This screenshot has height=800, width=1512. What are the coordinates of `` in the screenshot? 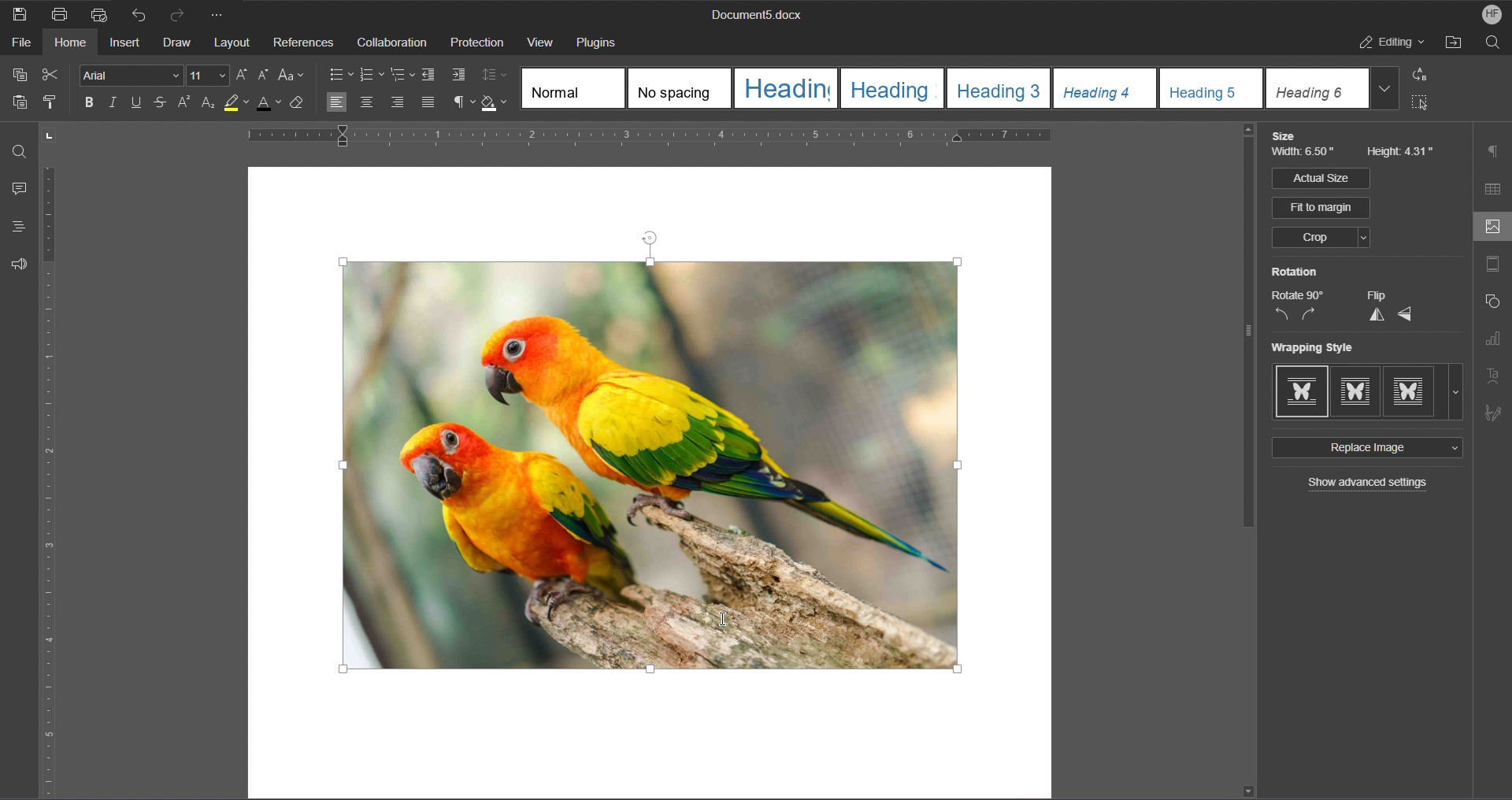 It's located at (1311, 347).